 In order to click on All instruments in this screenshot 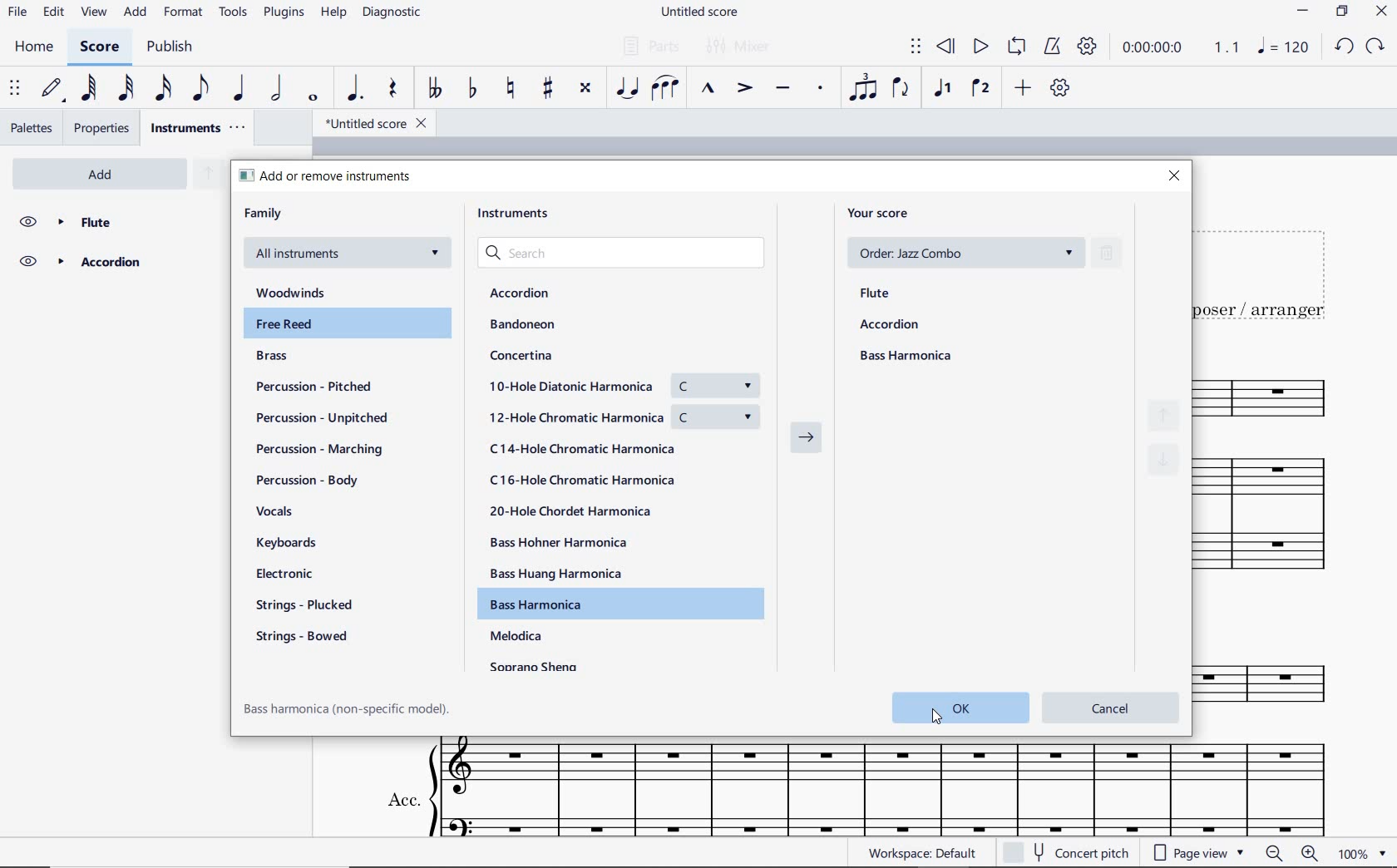, I will do `click(349, 257)`.